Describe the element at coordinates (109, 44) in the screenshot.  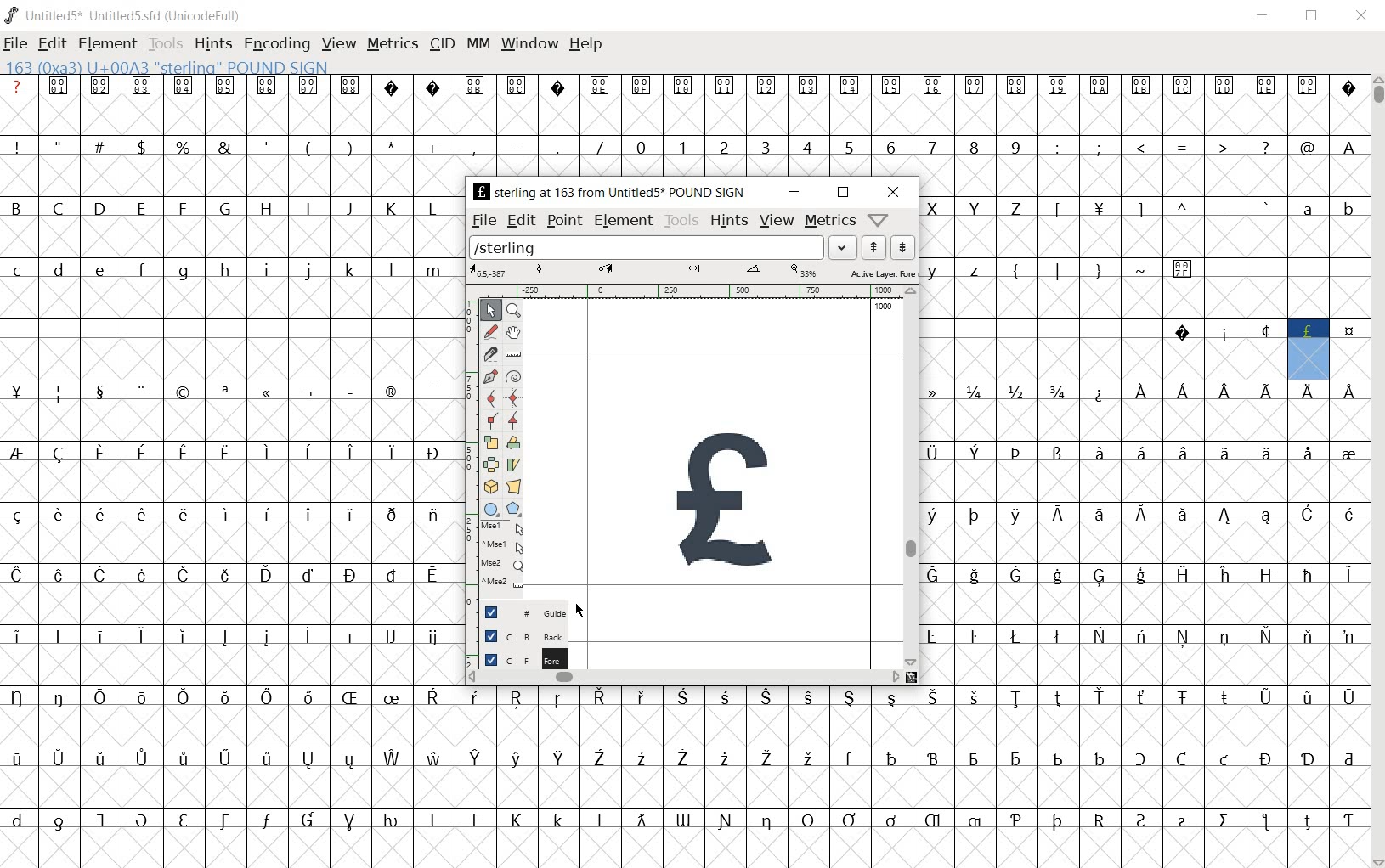
I see `element` at that location.